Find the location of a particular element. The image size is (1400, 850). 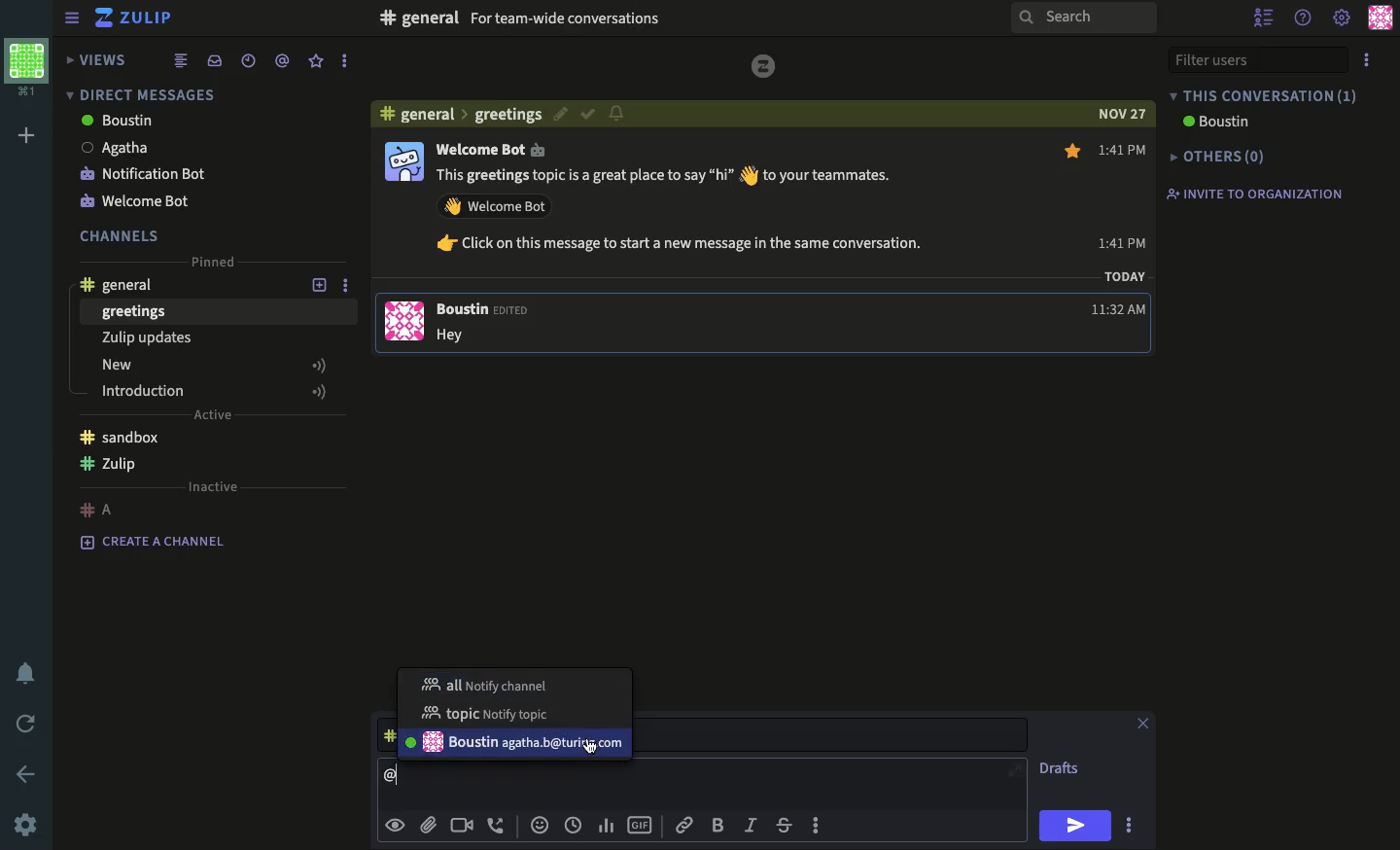

drafts is located at coordinates (1060, 766).